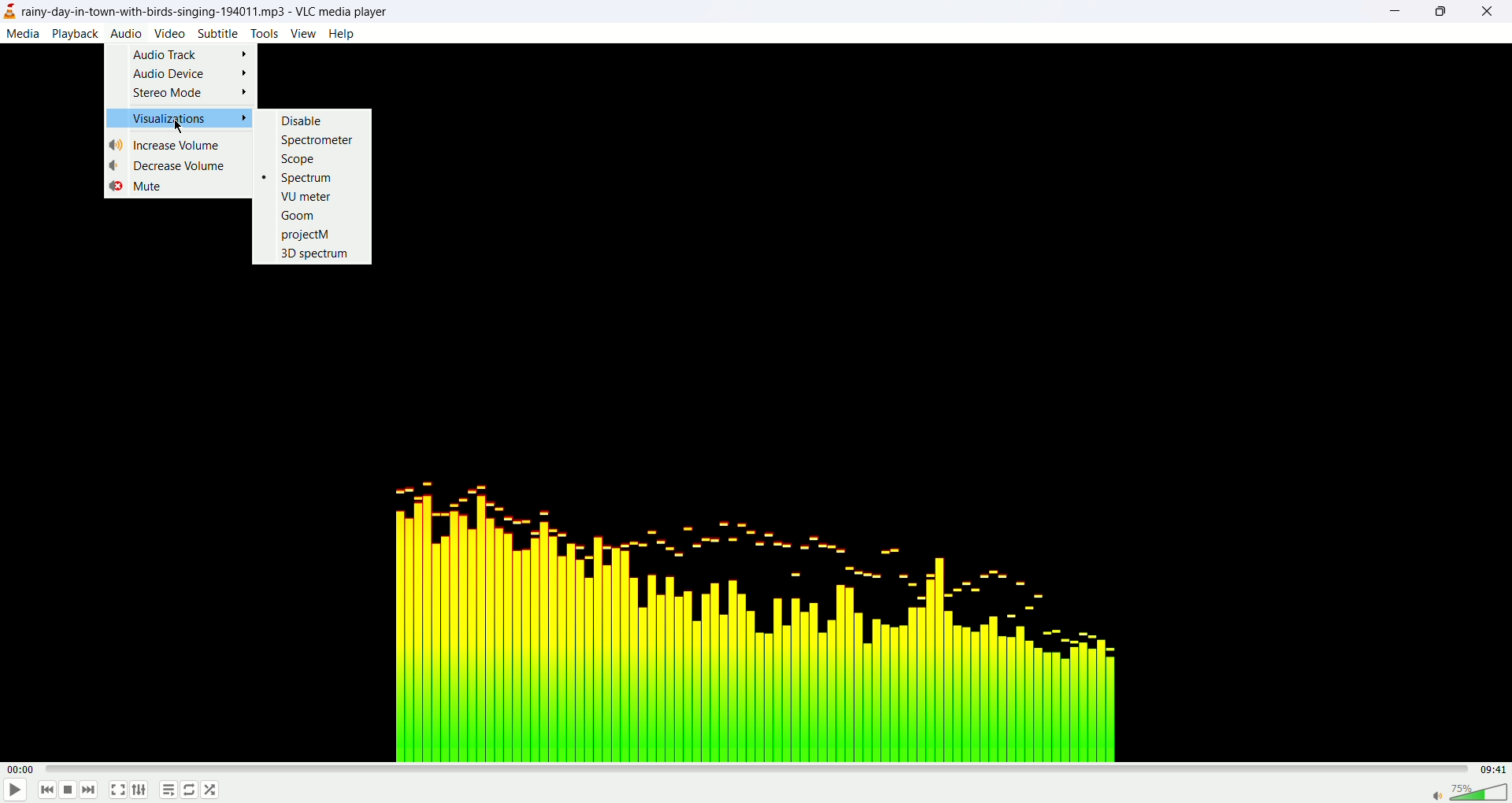 This screenshot has height=803, width=1512. What do you see at coordinates (190, 790) in the screenshot?
I see `loop` at bounding box center [190, 790].